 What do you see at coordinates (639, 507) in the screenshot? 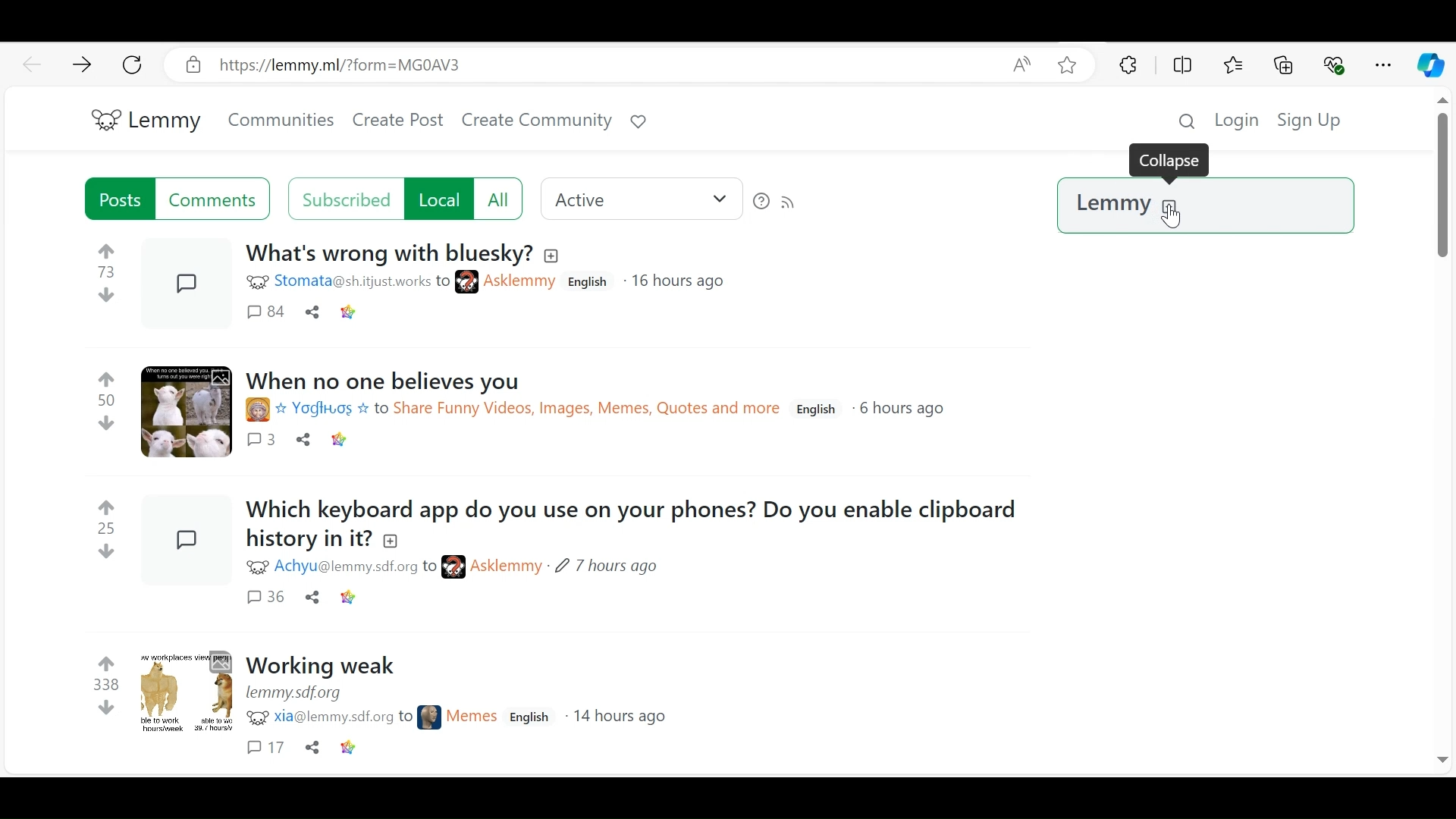
I see `Title` at bounding box center [639, 507].